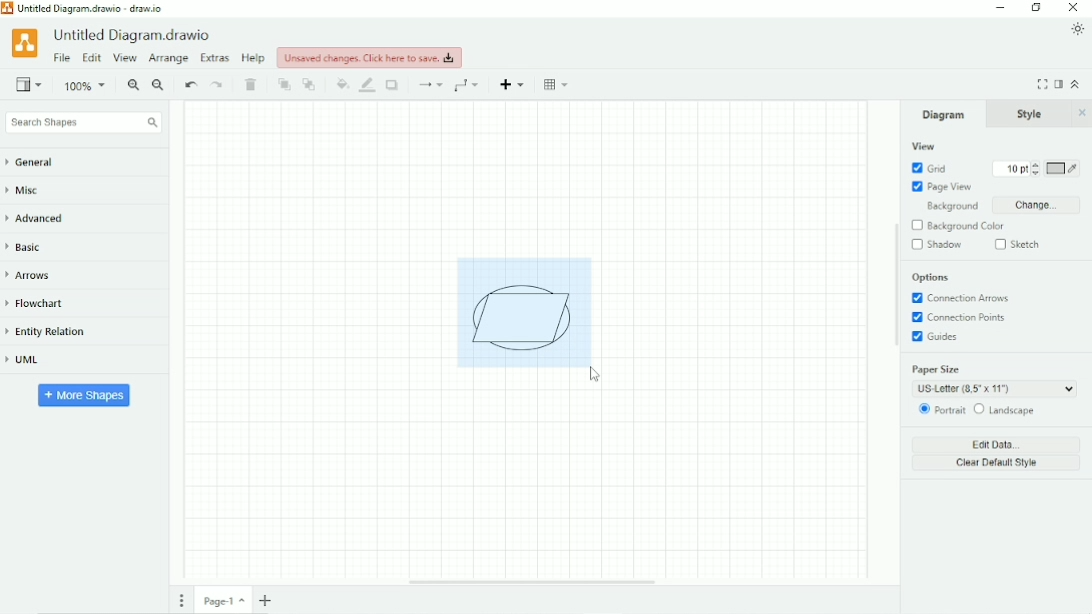  Describe the element at coordinates (923, 146) in the screenshot. I see `View` at that location.